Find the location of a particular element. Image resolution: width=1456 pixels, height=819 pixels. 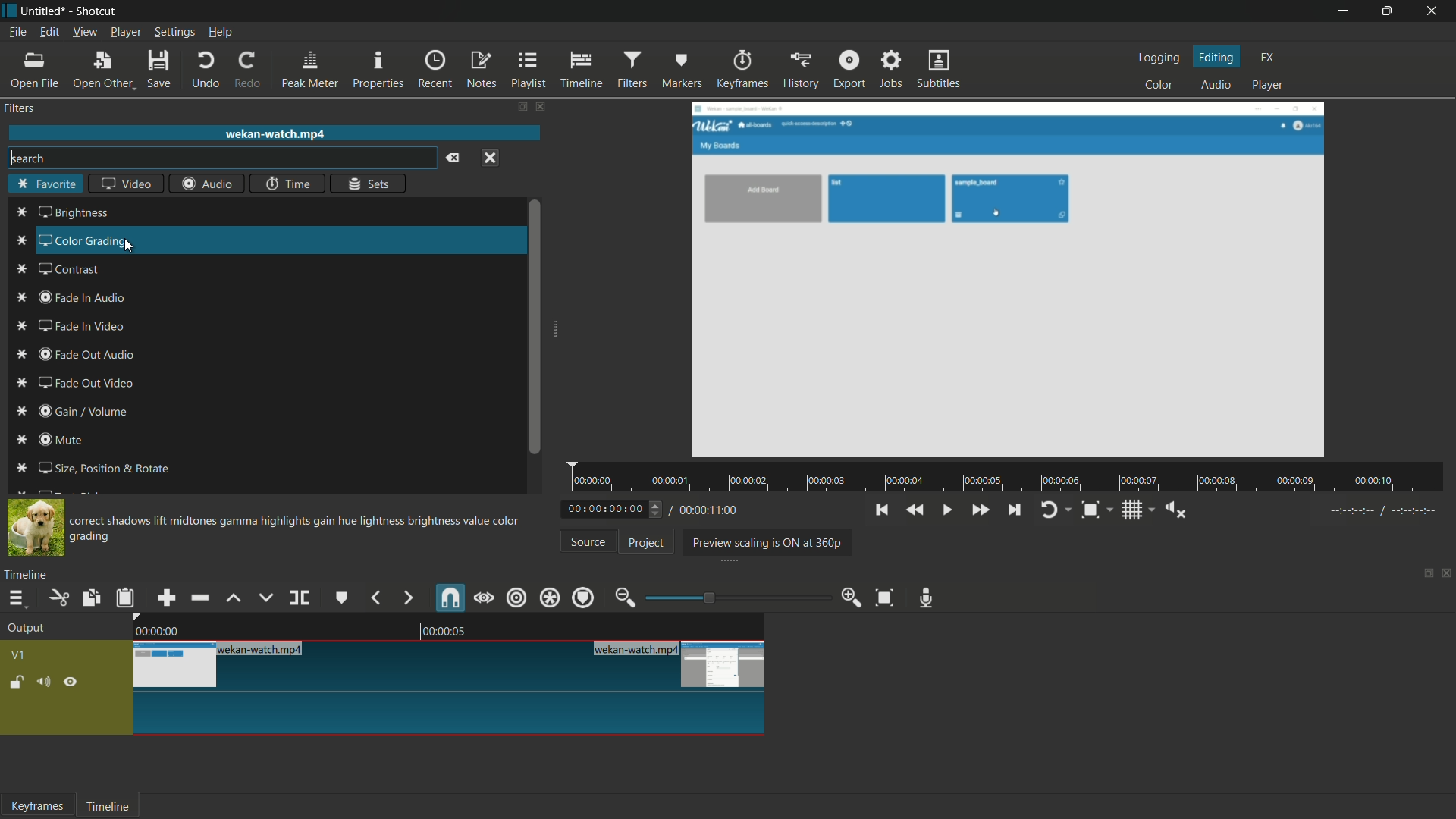

color is located at coordinates (1159, 86).